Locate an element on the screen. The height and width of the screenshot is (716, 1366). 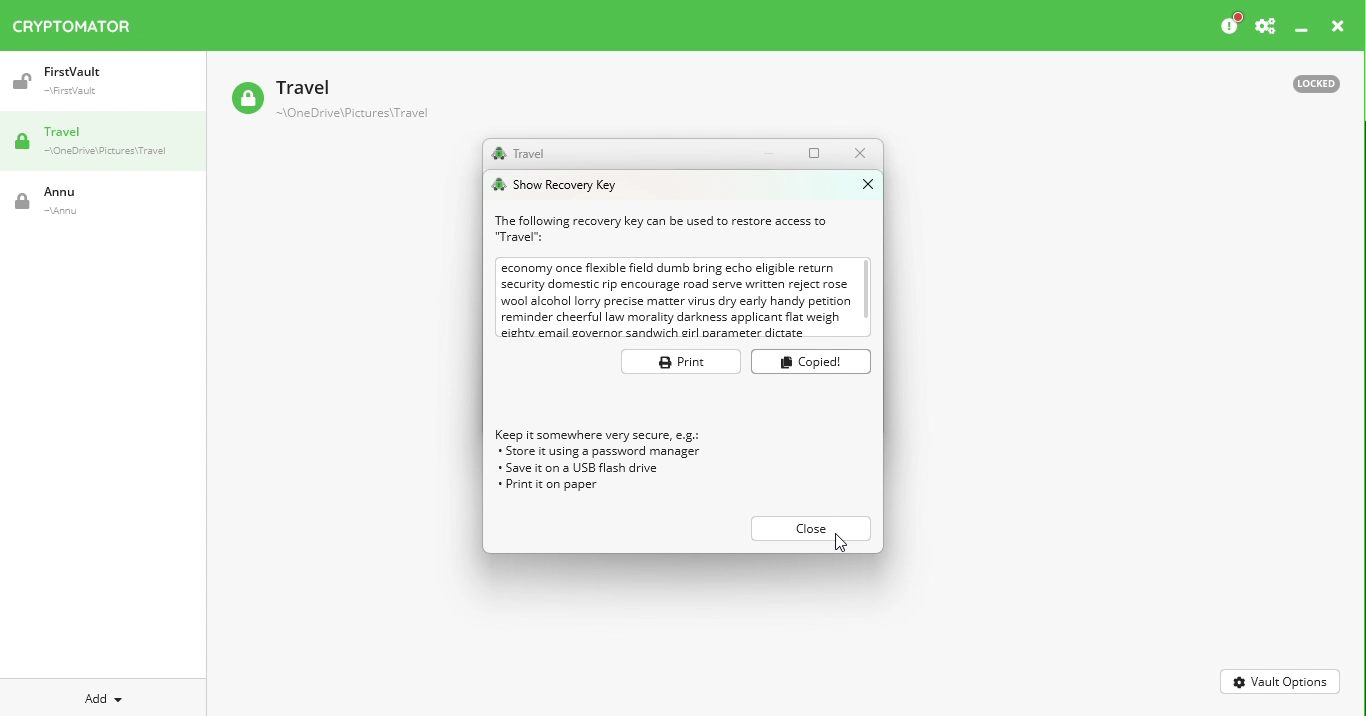
Print is located at coordinates (679, 363).